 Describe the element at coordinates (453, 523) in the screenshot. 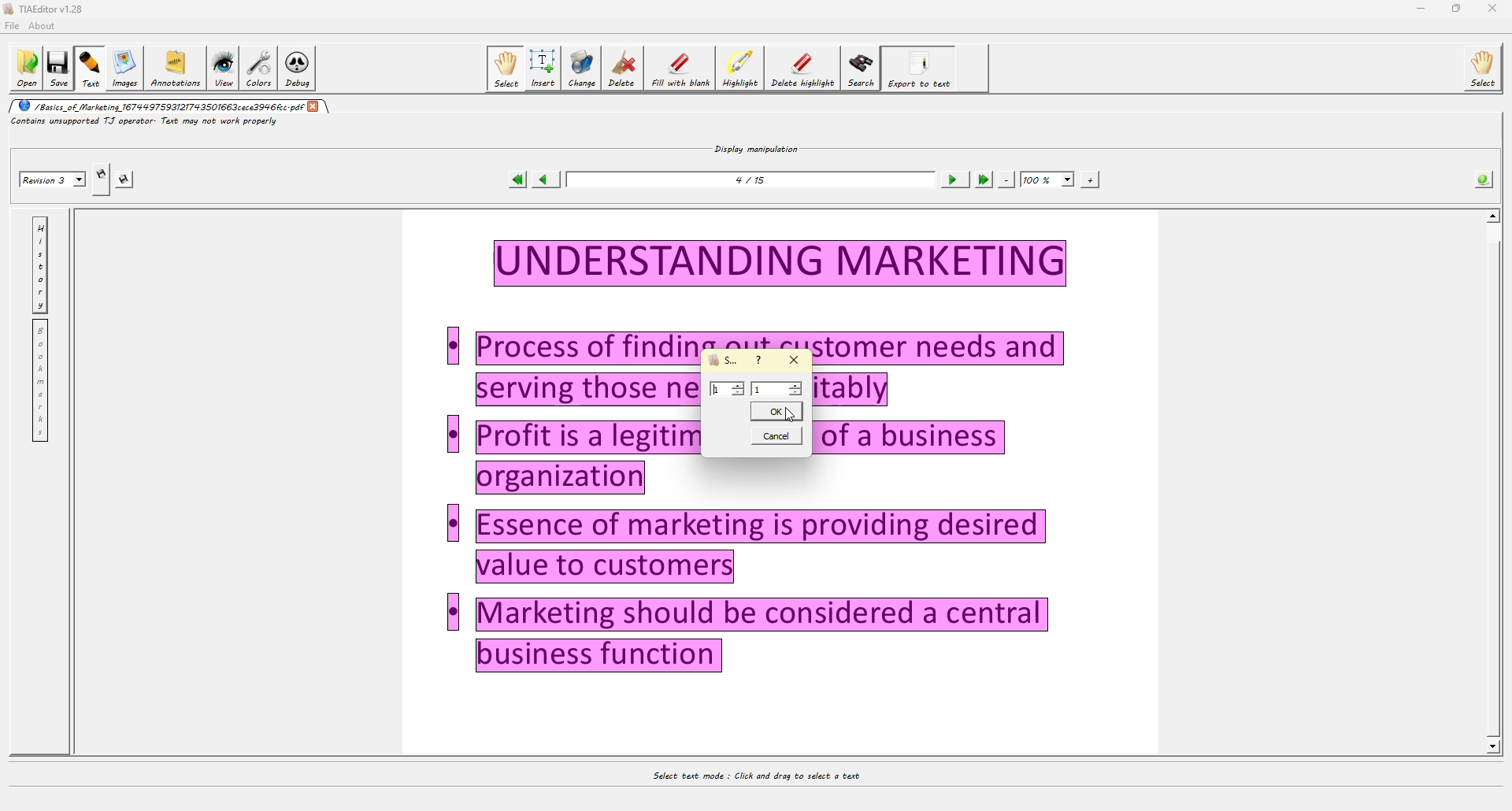

I see `` at that location.